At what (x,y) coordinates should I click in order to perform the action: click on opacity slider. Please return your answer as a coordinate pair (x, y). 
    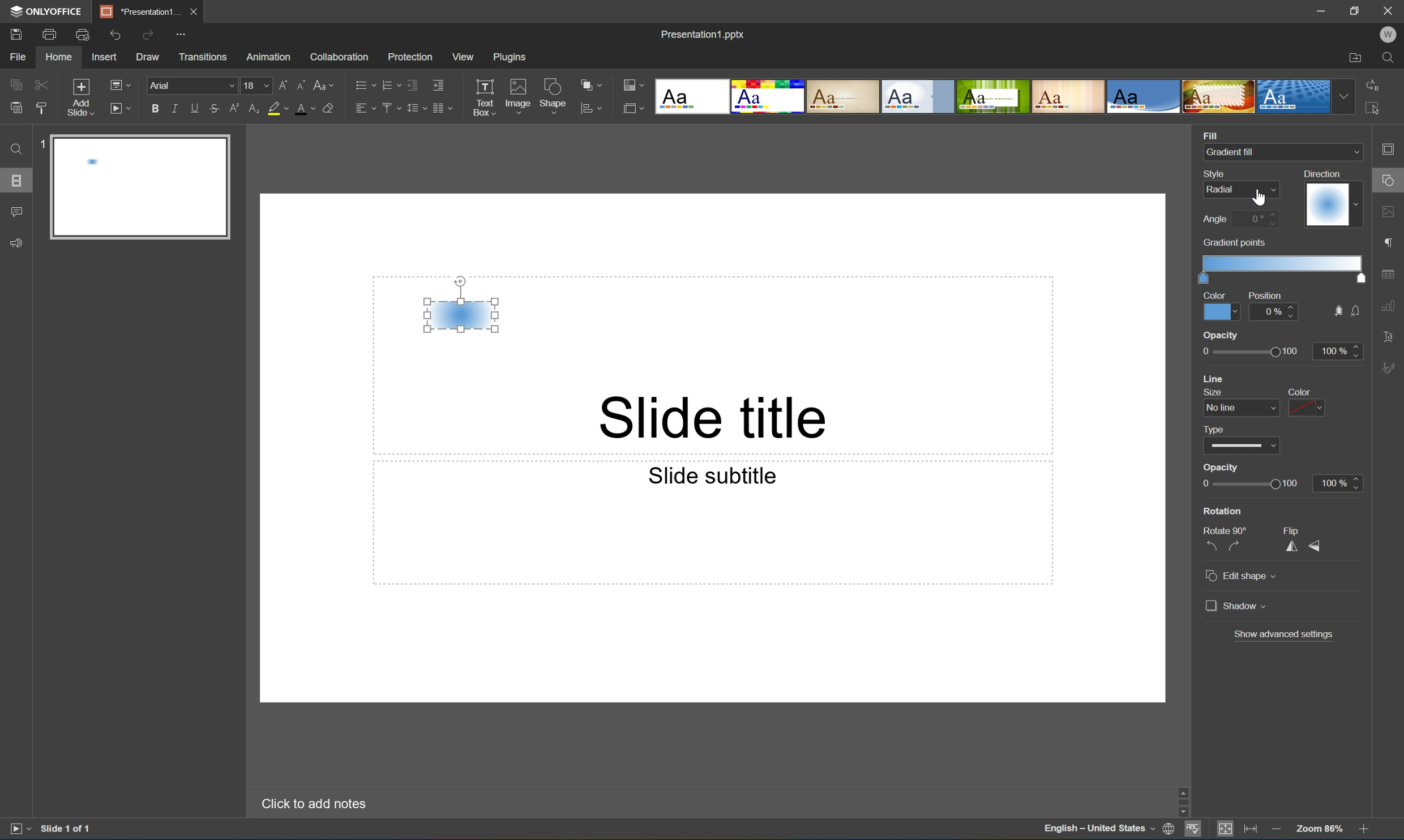
    Looking at the image, I should click on (1244, 352).